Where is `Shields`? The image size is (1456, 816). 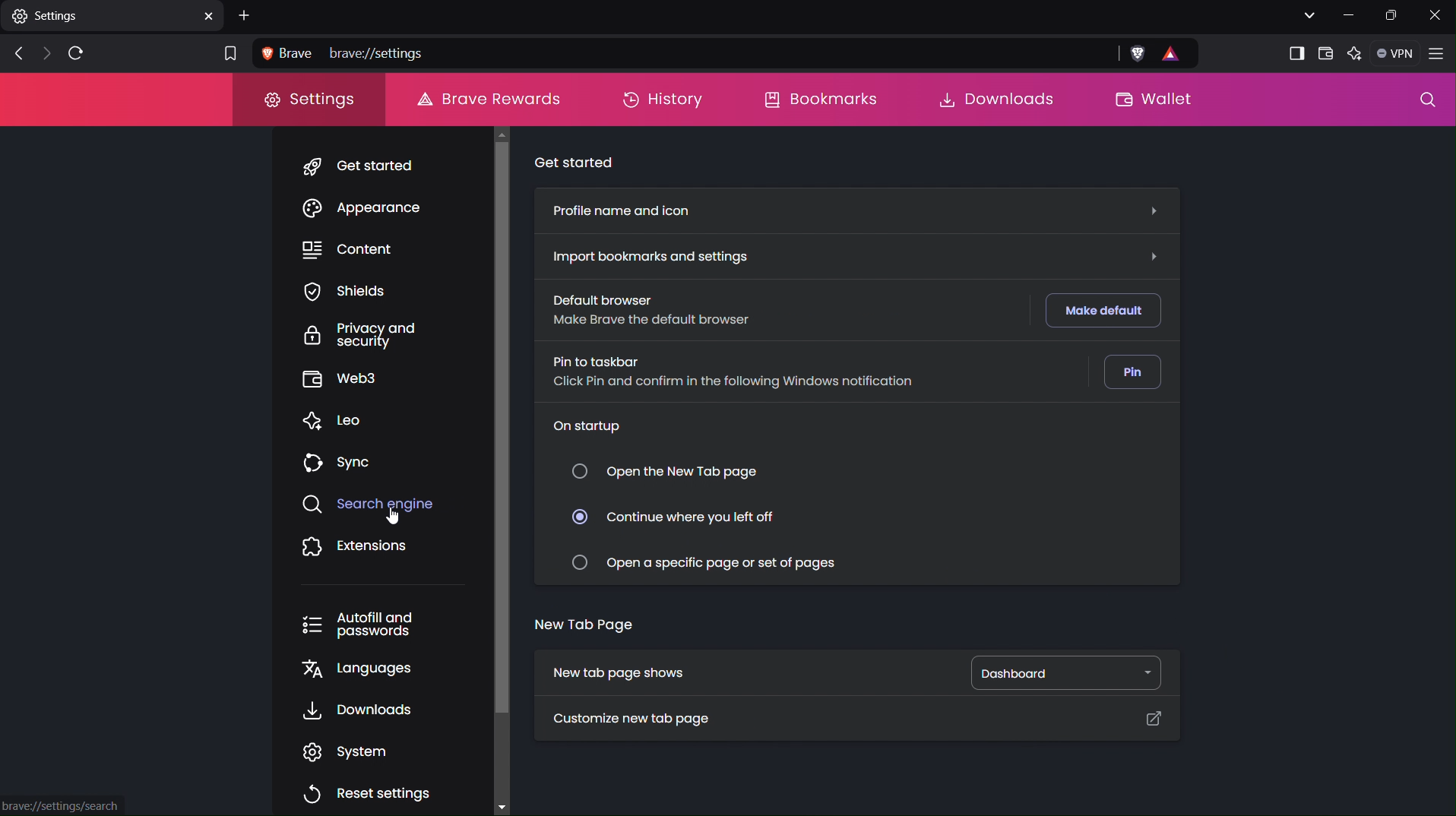 Shields is located at coordinates (344, 294).